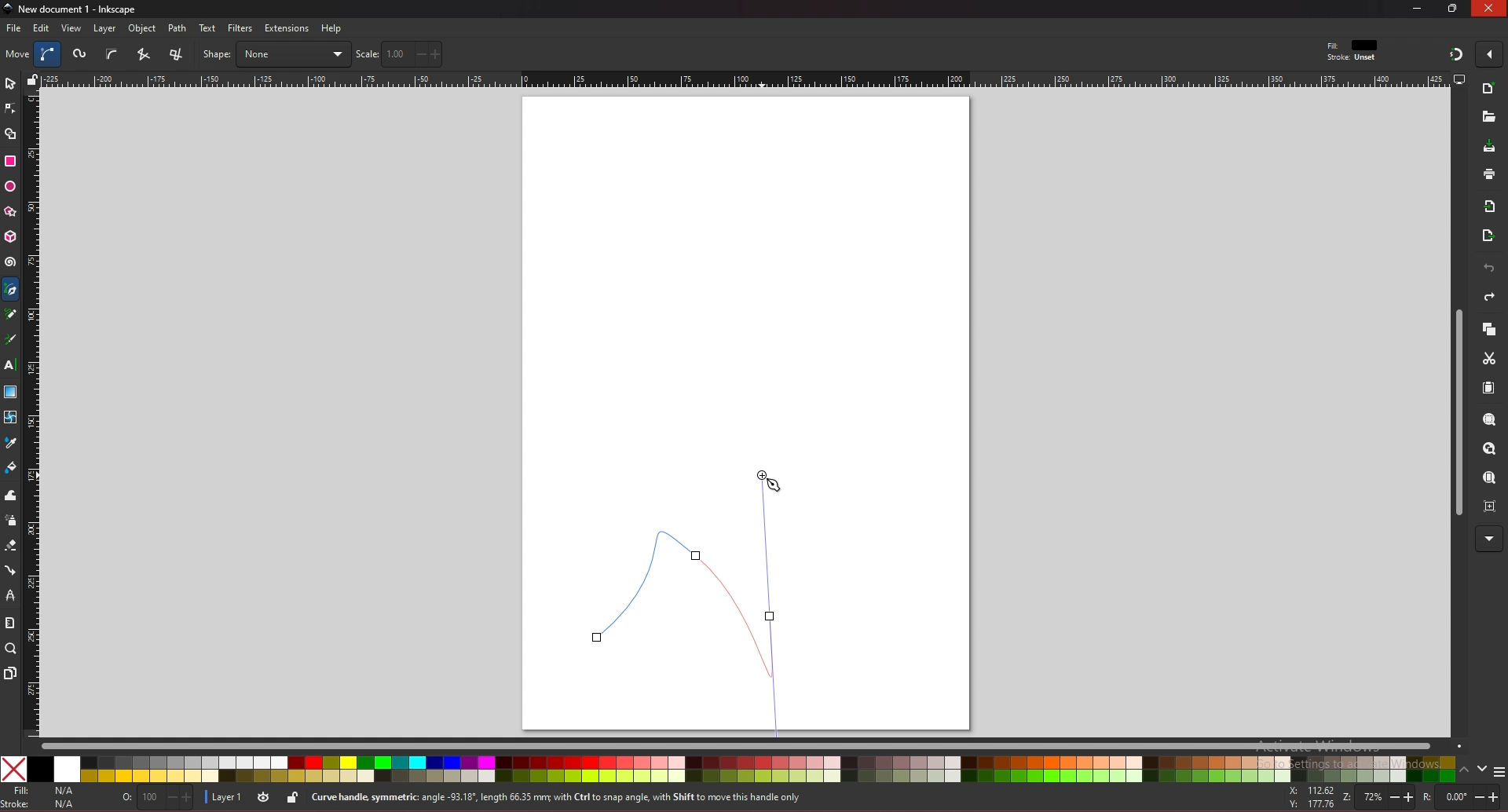  I want to click on redo, so click(1489, 297).